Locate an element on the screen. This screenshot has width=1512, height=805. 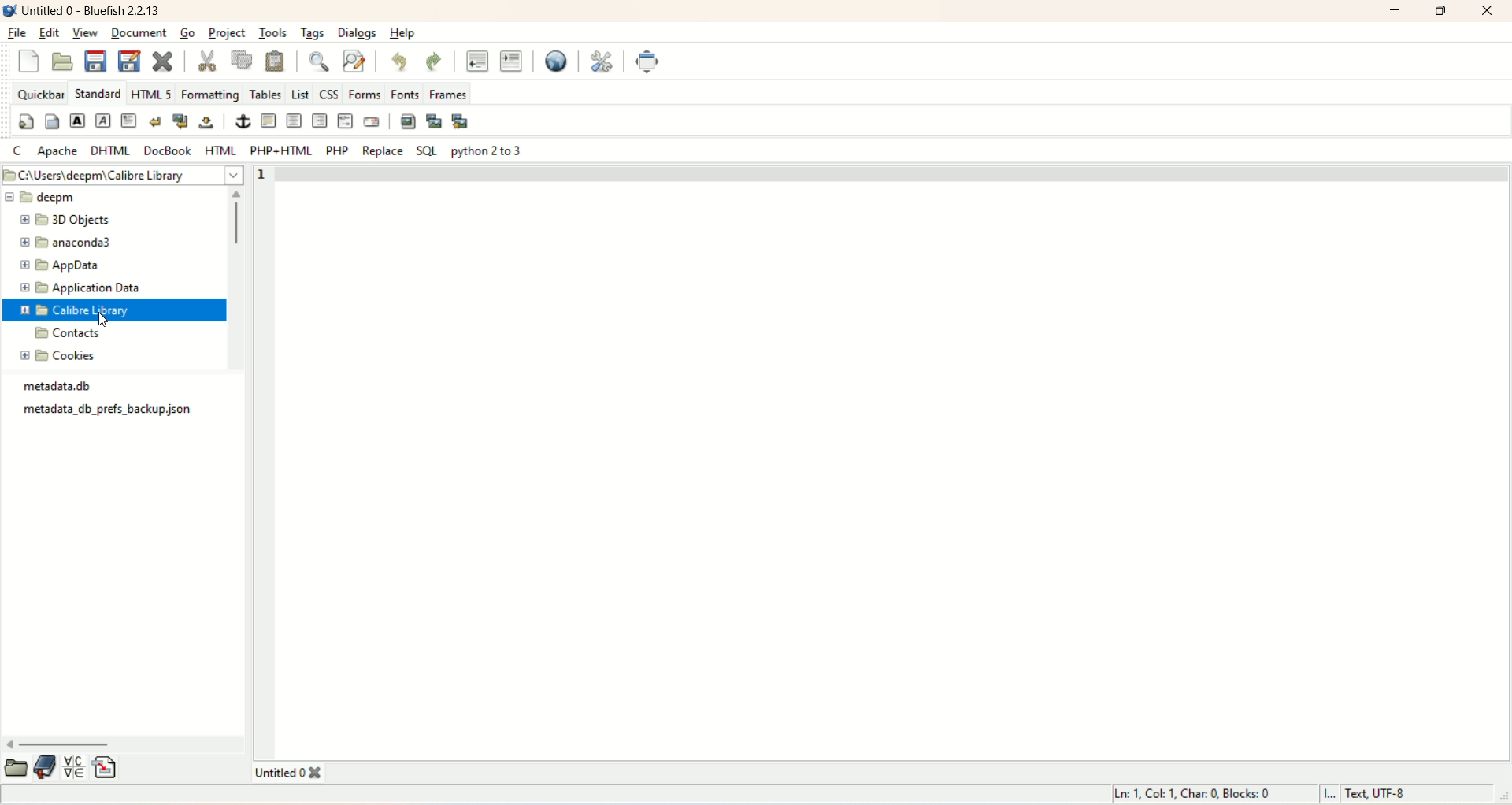
paragraph is located at coordinates (129, 120).